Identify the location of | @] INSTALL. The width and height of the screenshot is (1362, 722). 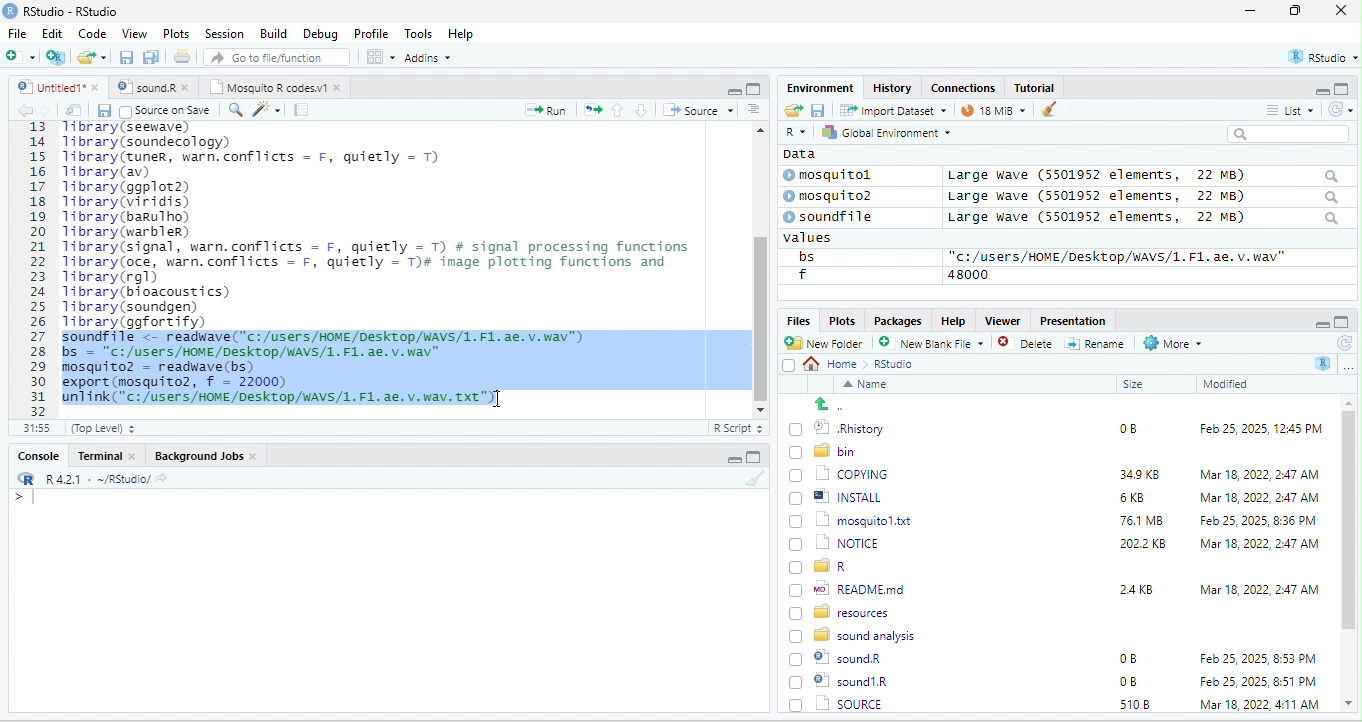
(839, 496).